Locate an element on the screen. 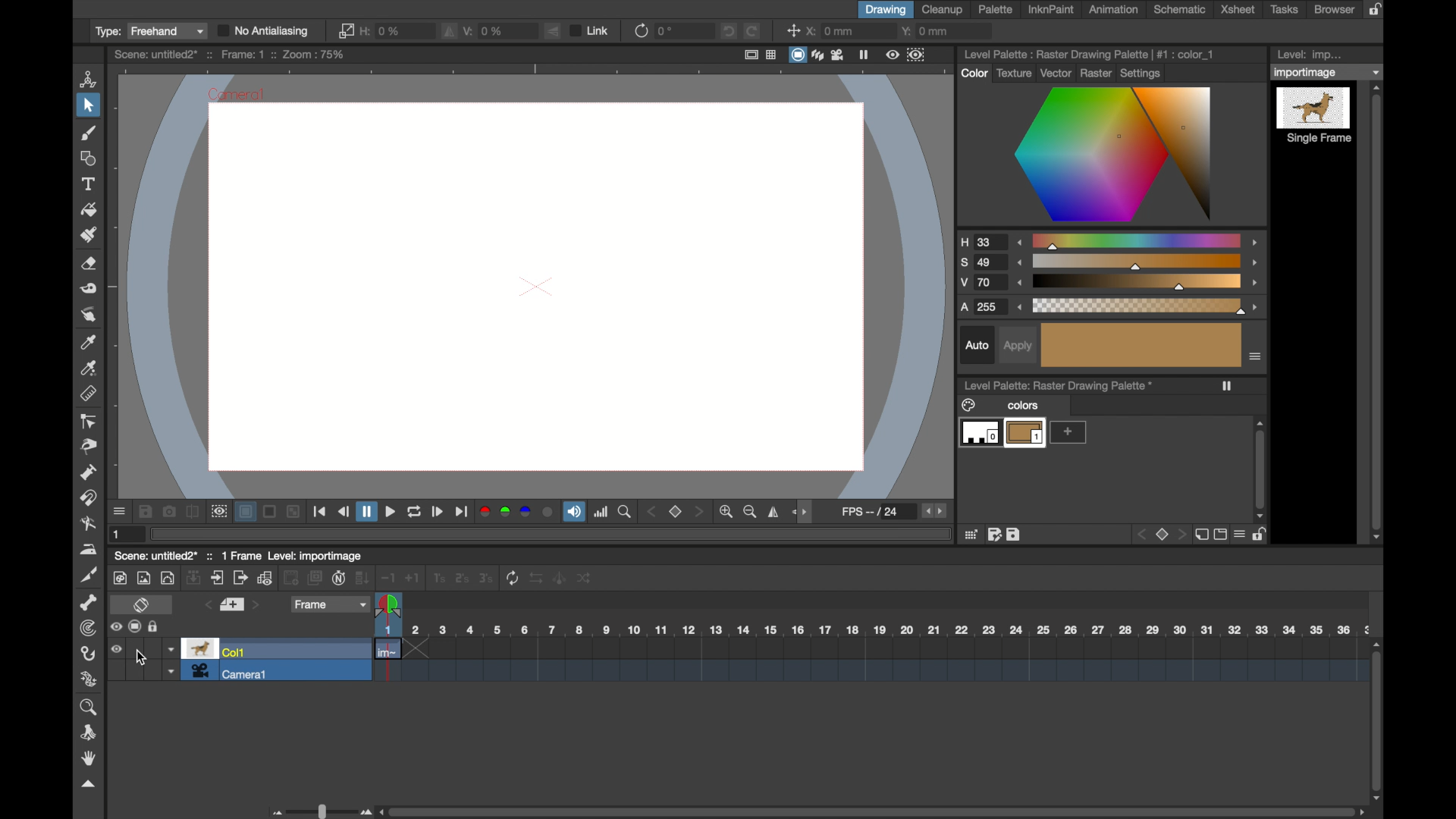 This screenshot has width=1456, height=819. back is located at coordinates (1139, 535).